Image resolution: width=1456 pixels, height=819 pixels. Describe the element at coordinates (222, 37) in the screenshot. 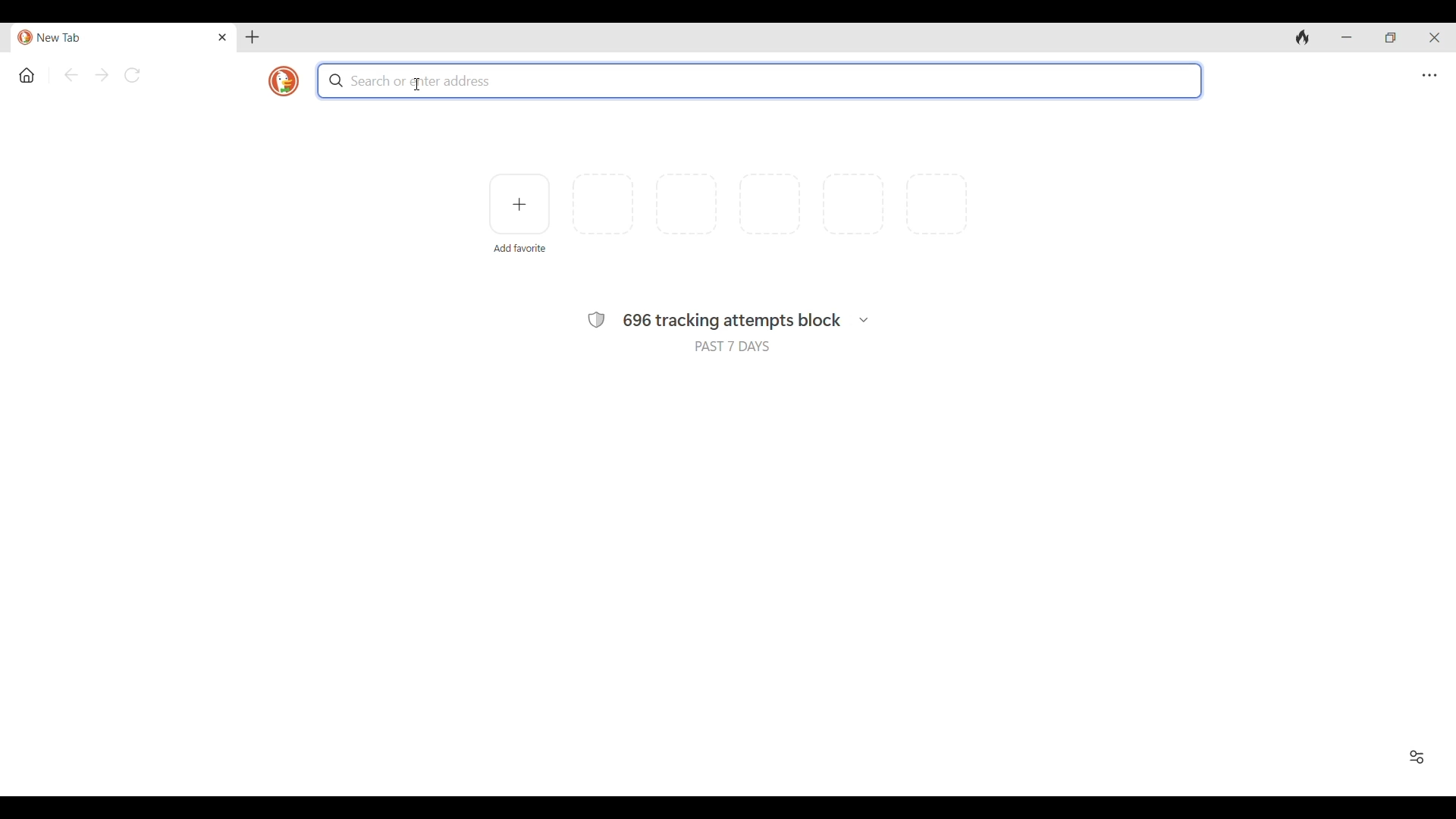

I see `Close current open tab` at that location.